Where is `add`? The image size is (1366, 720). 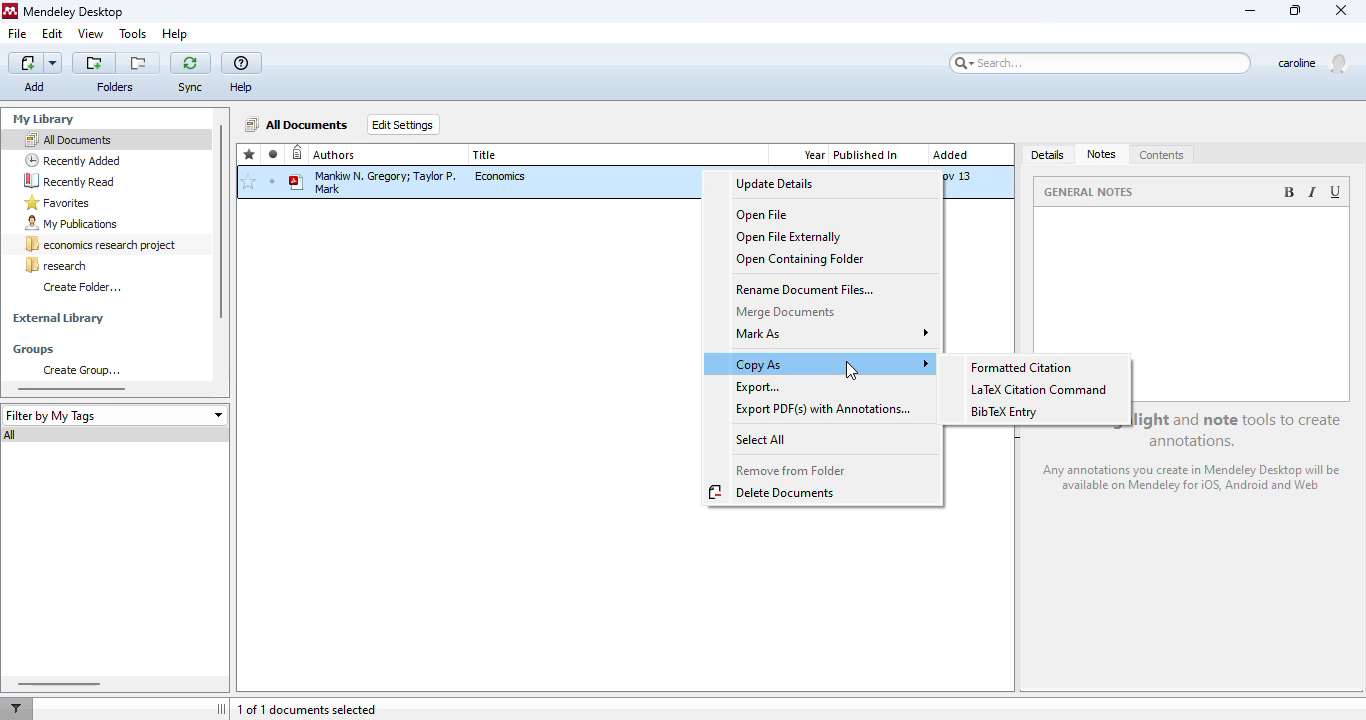
add is located at coordinates (36, 63).